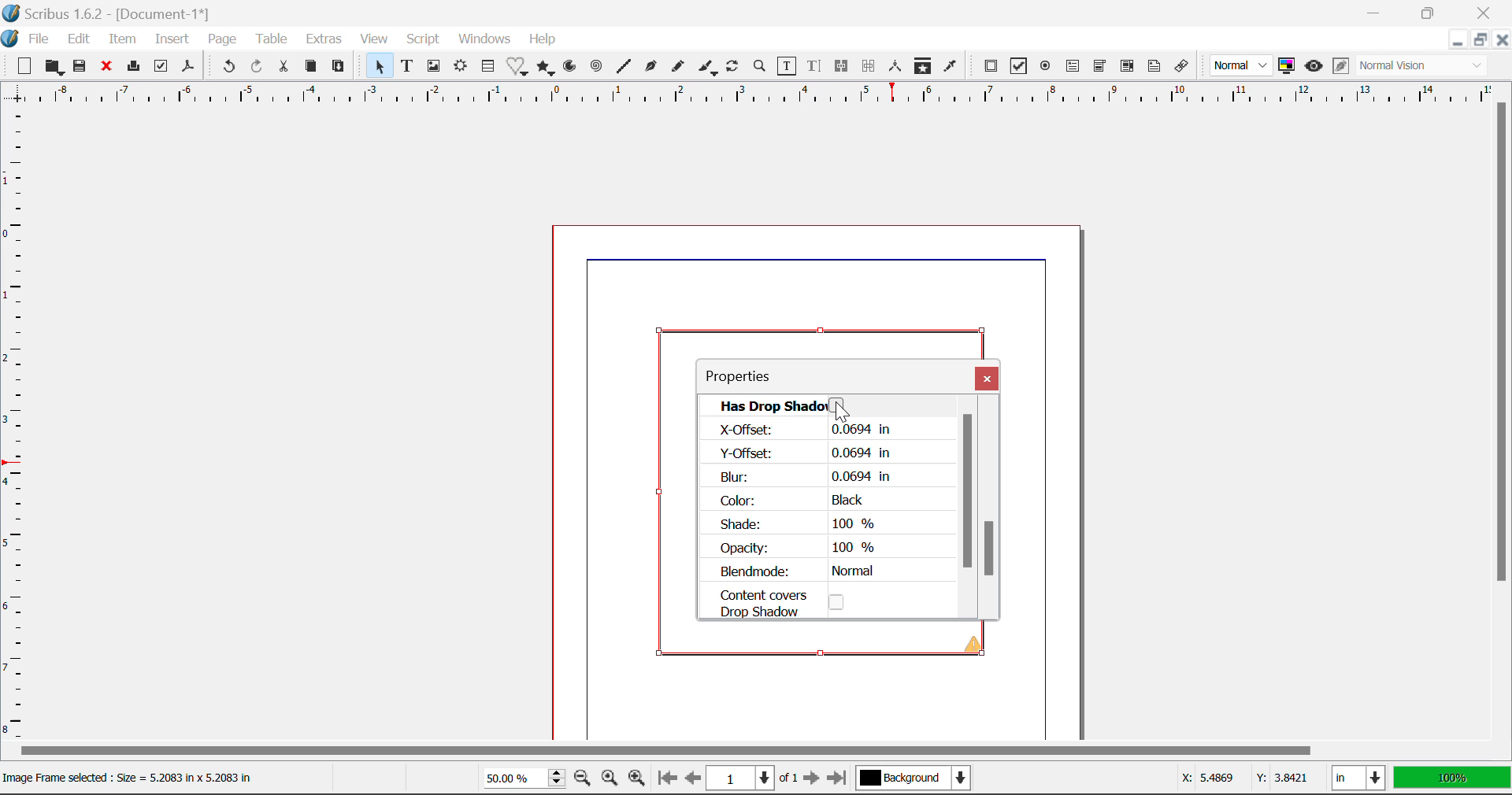 This screenshot has width=1512, height=795. I want to click on Paste, so click(341, 69).